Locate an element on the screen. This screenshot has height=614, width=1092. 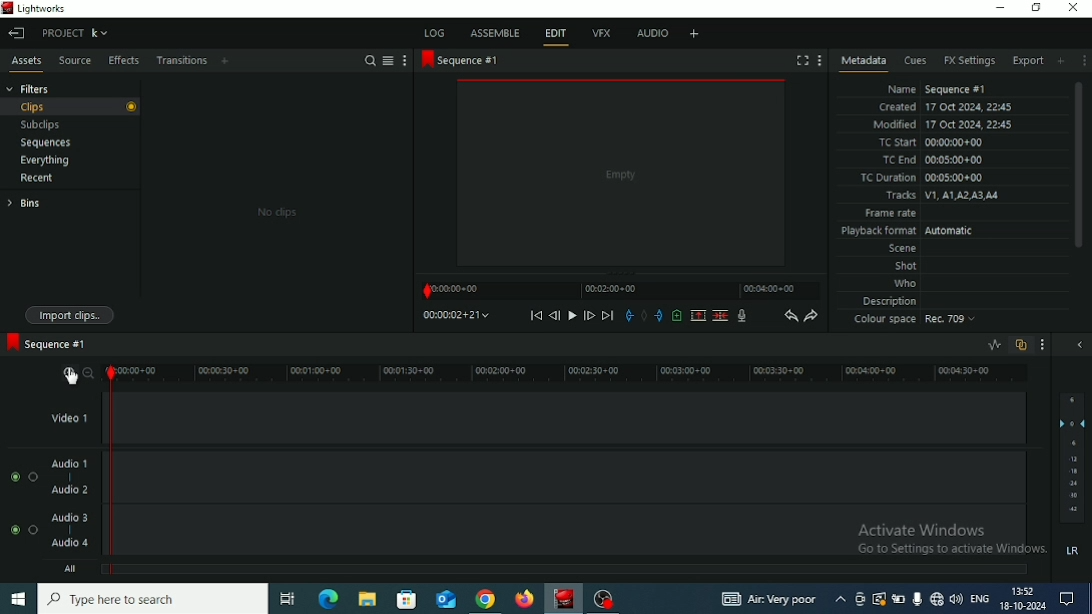
Filters is located at coordinates (28, 88).